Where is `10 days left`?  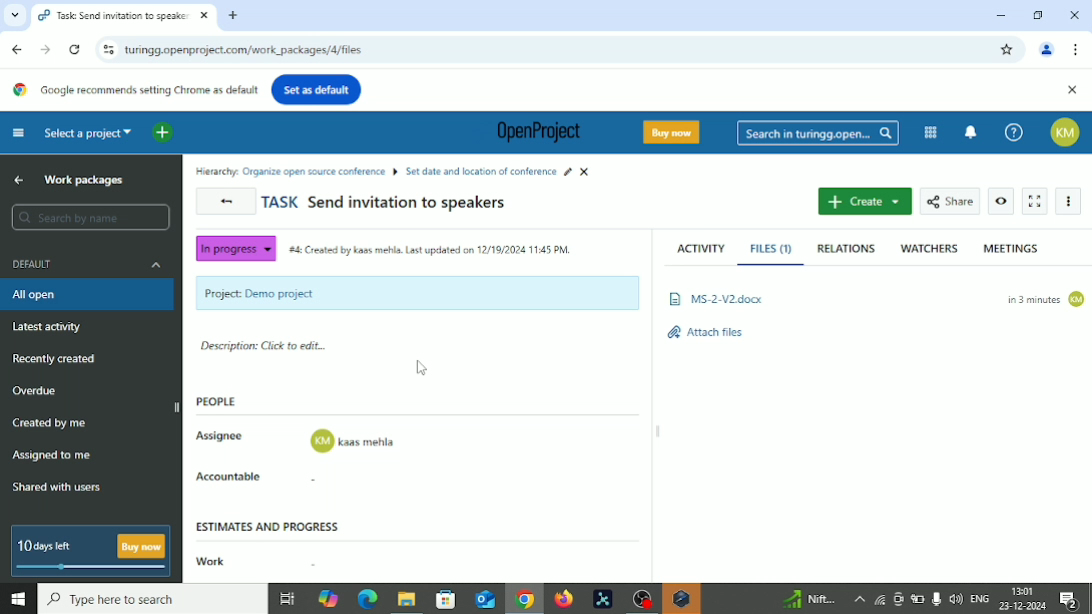
10 days left is located at coordinates (46, 547).